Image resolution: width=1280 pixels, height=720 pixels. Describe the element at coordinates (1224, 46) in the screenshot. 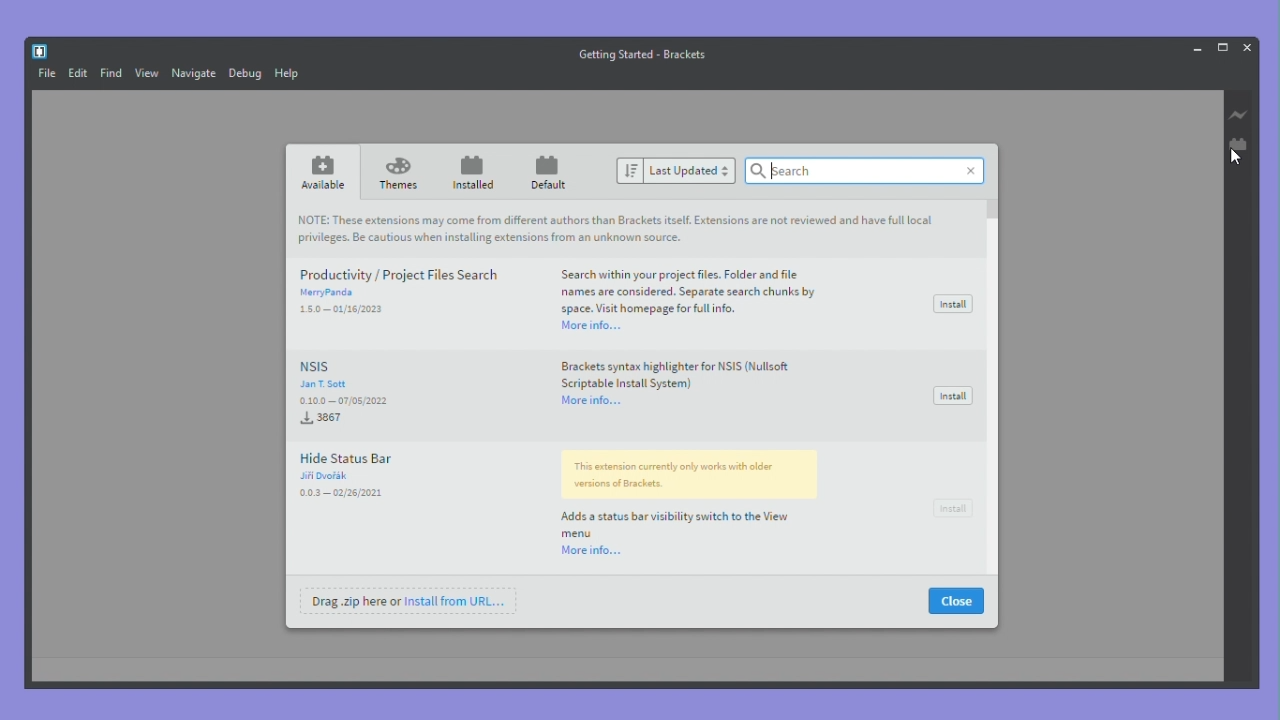

I see `Maximize` at that location.